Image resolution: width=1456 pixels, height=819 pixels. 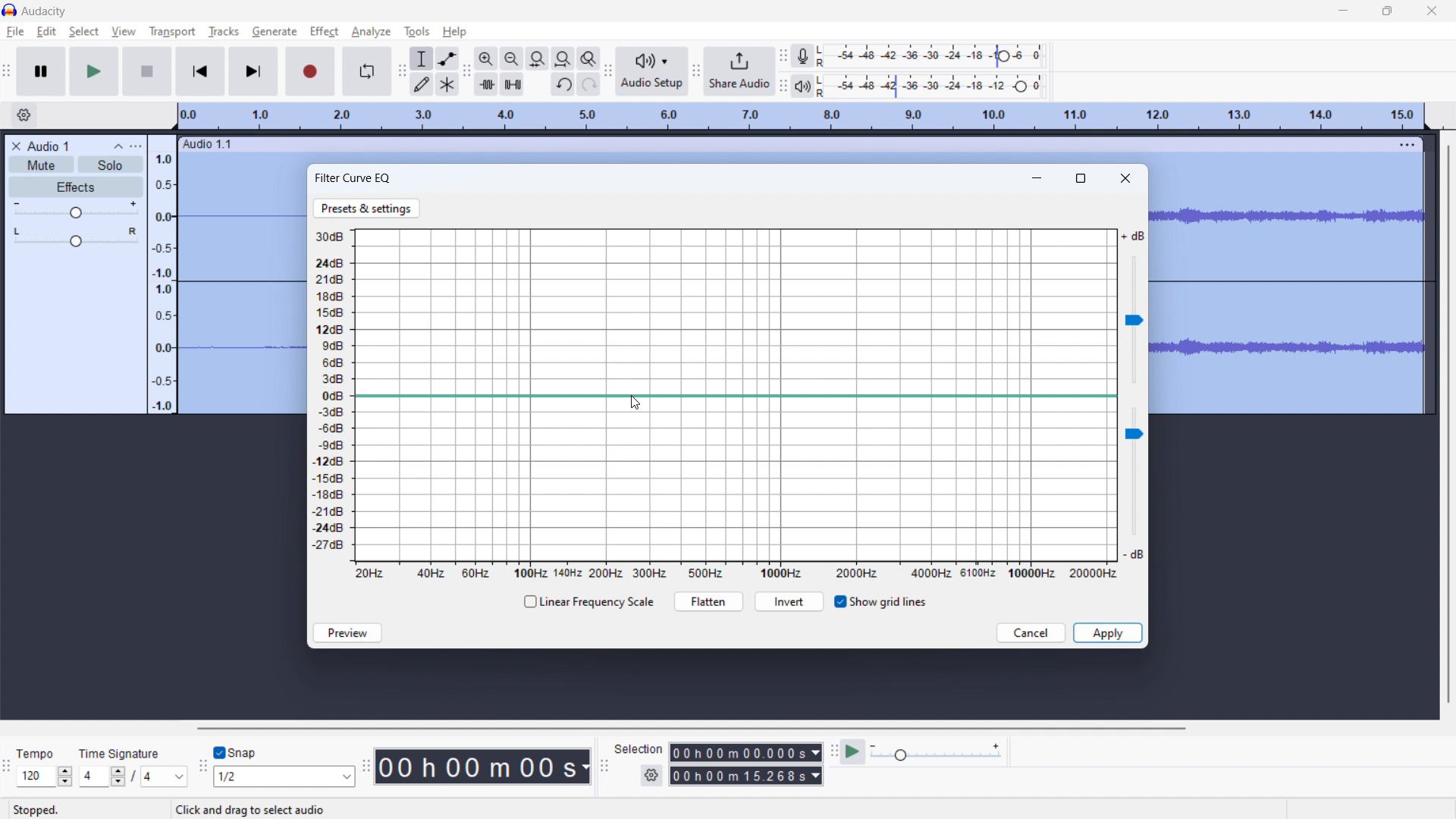 What do you see at coordinates (486, 83) in the screenshot?
I see `trim audio outside selection` at bounding box center [486, 83].